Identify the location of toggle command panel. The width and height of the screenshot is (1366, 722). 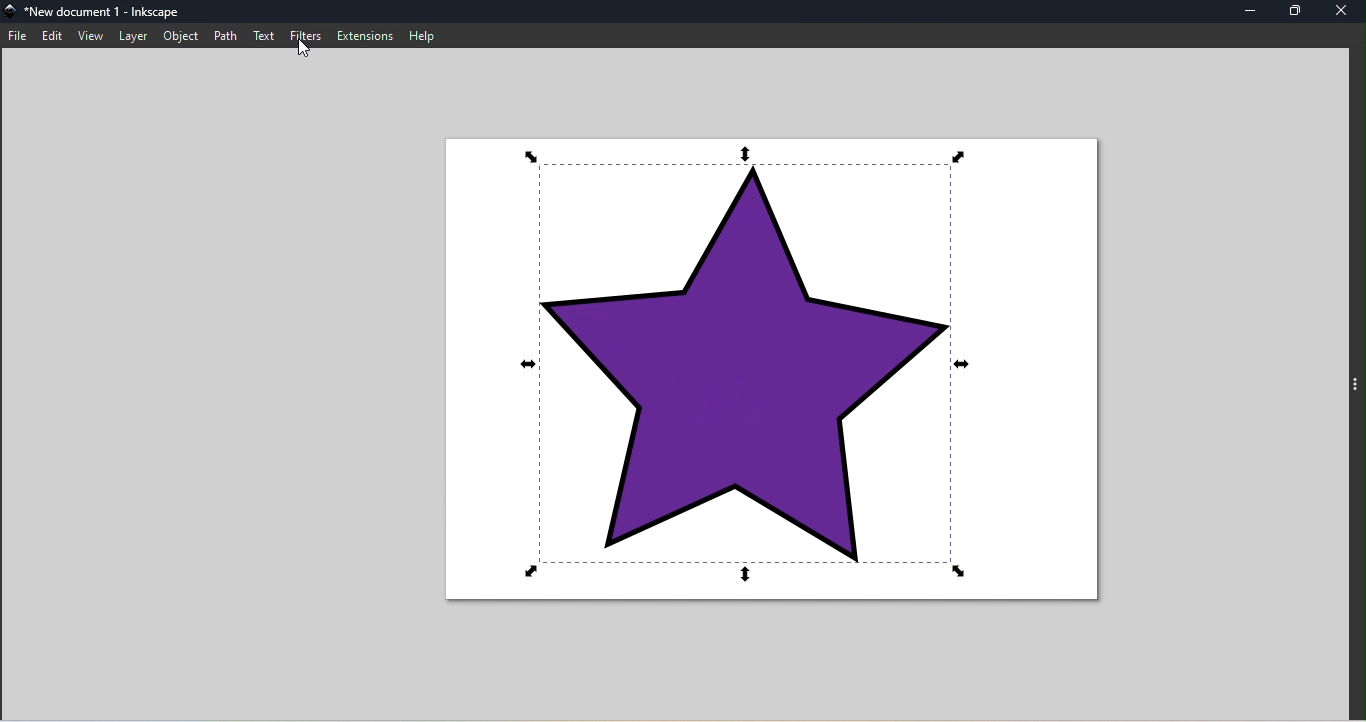
(1354, 381).